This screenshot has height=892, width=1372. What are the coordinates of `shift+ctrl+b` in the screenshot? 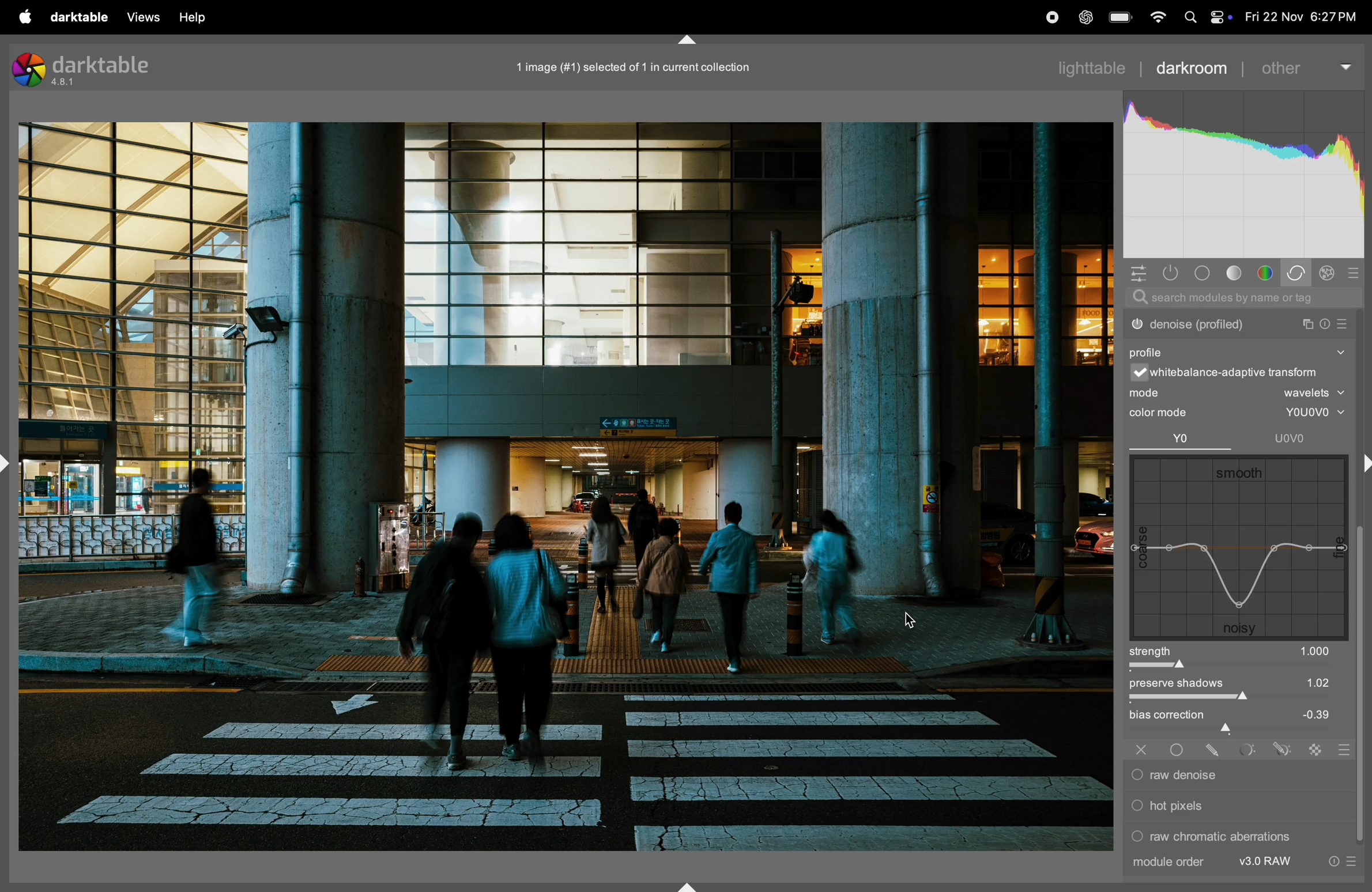 It's located at (689, 886).